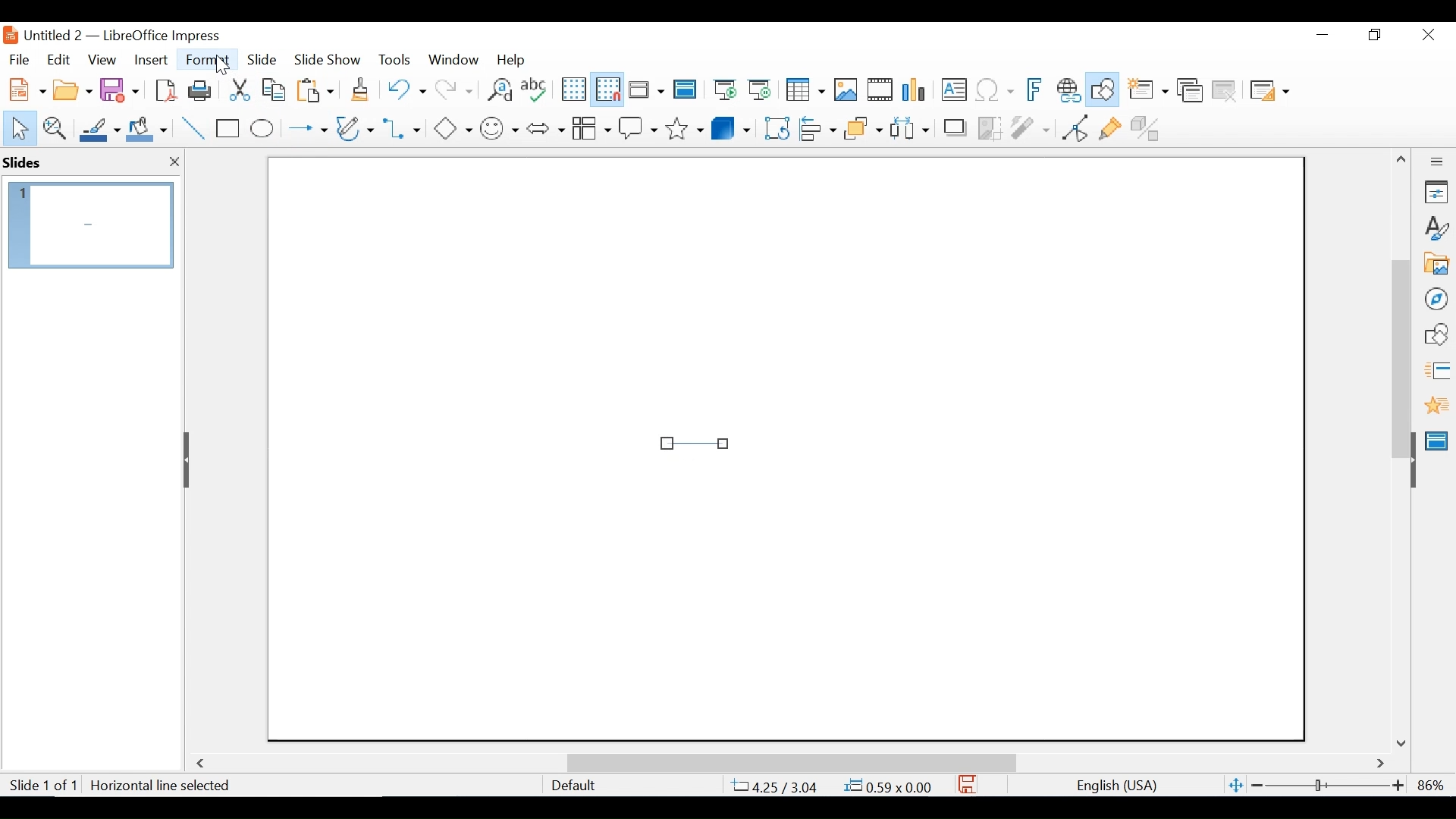 Image resolution: width=1456 pixels, height=819 pixels. I want to click on Cut, so click(238, 89).